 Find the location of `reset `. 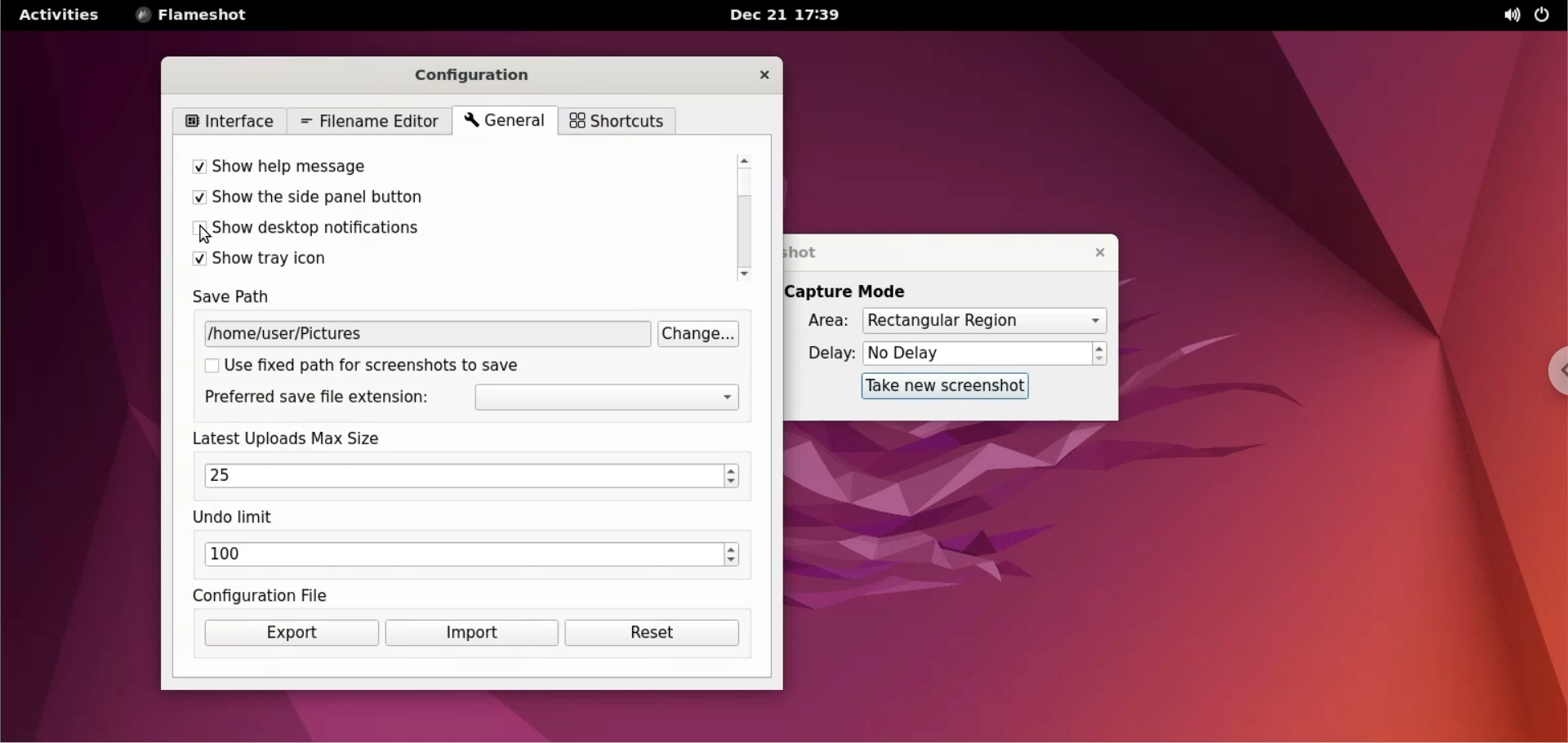

reset  is located at coordinates (653, 633).